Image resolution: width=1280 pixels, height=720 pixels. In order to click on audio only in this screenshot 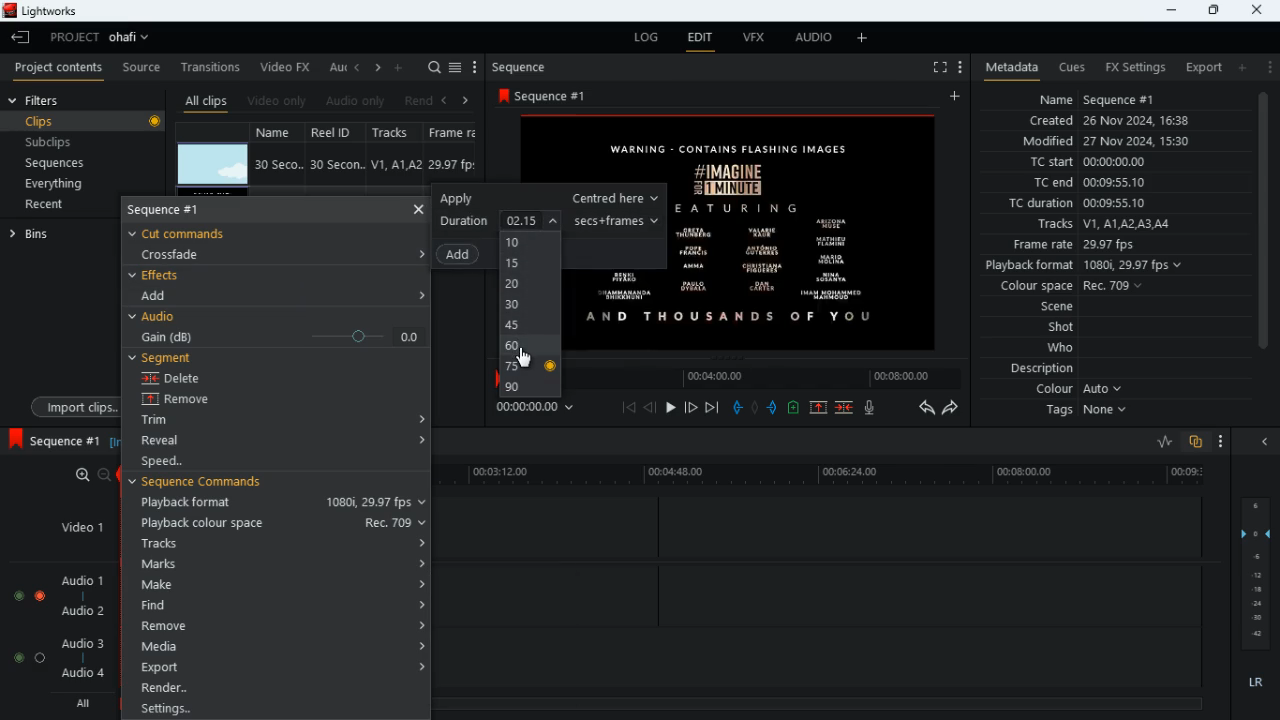, I will do `click(357, 101)`.